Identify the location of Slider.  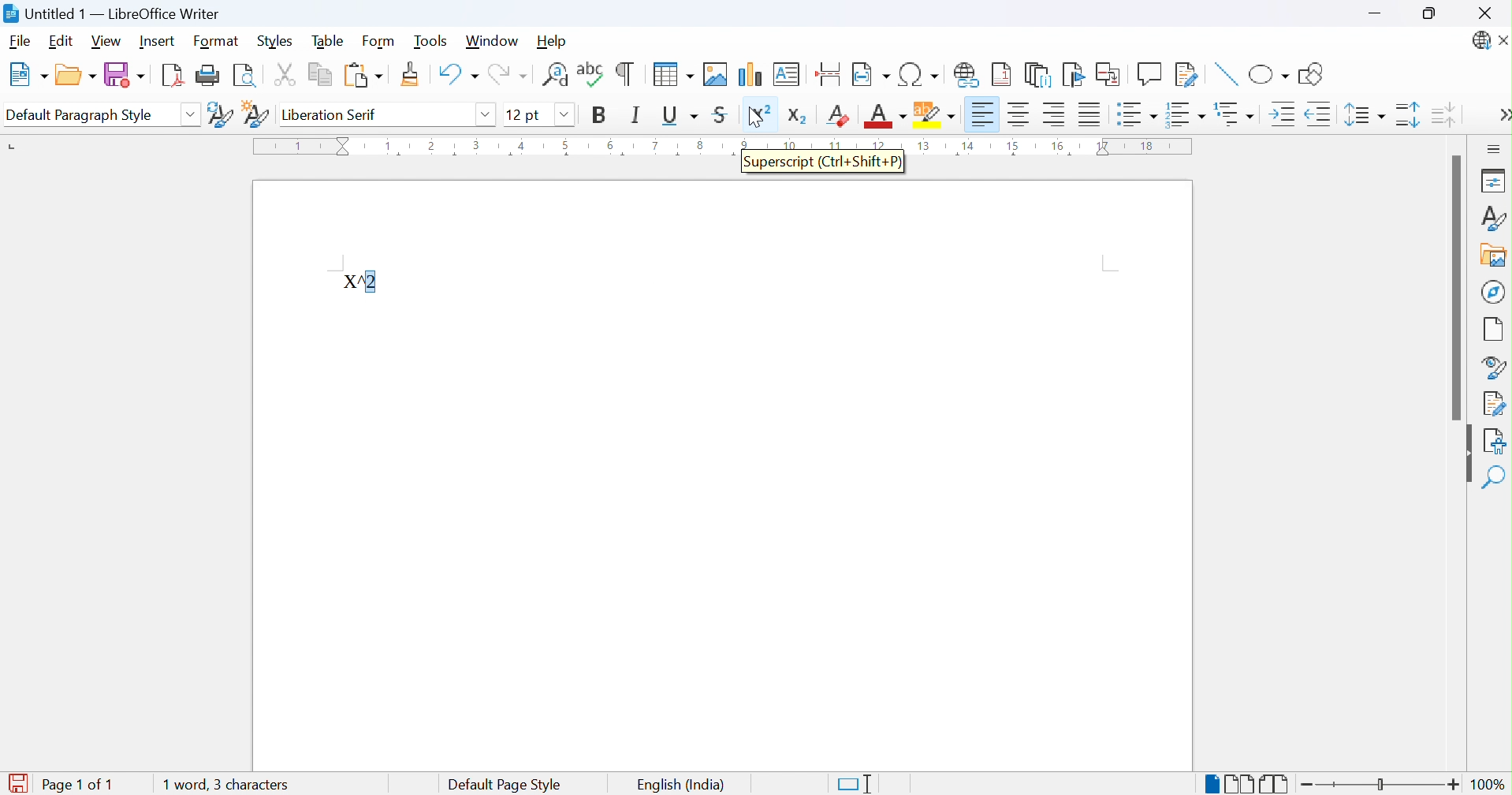
(1379, 784).